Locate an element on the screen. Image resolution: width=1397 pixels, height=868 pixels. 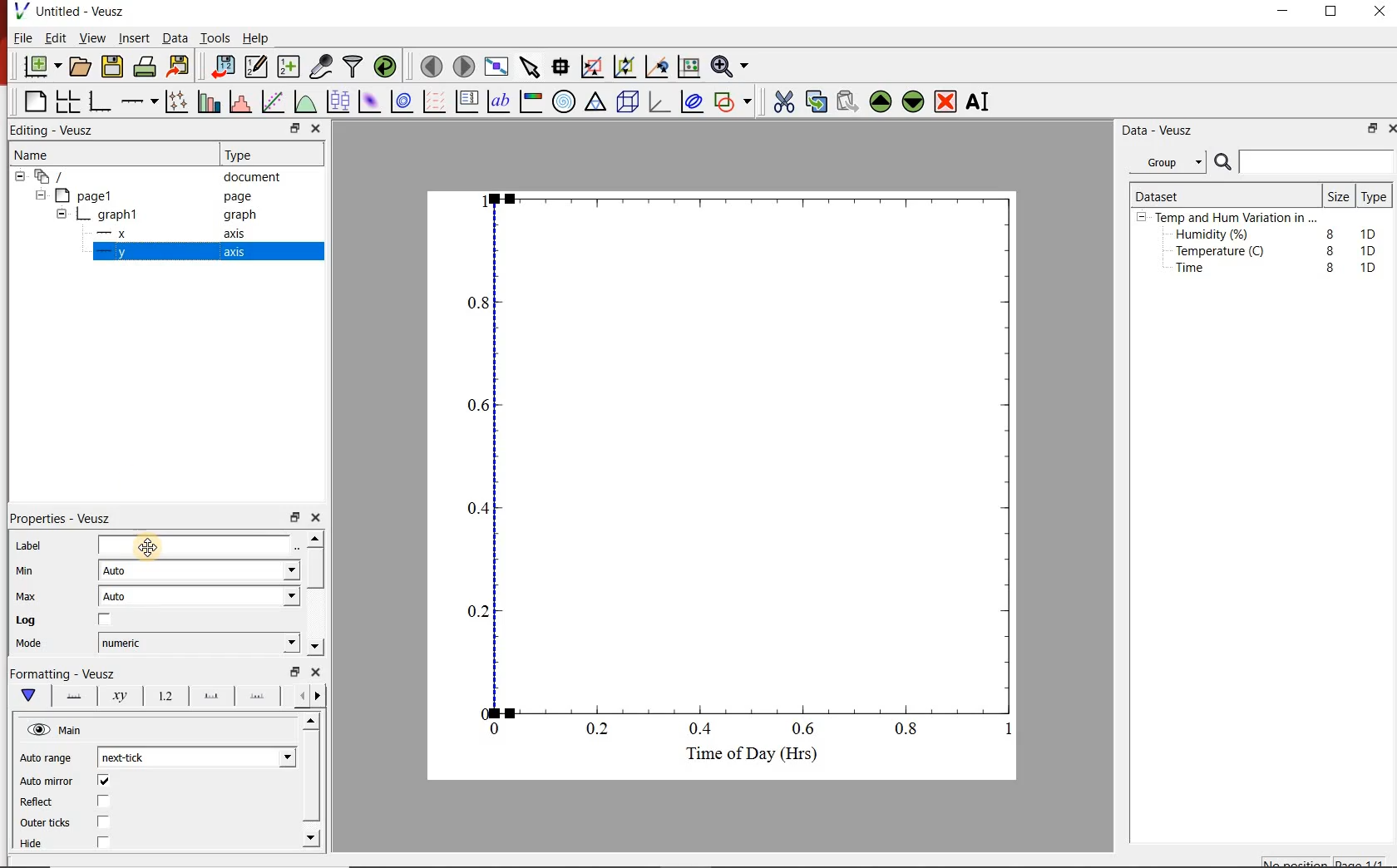
save the document is located at coordinates (113, 67).